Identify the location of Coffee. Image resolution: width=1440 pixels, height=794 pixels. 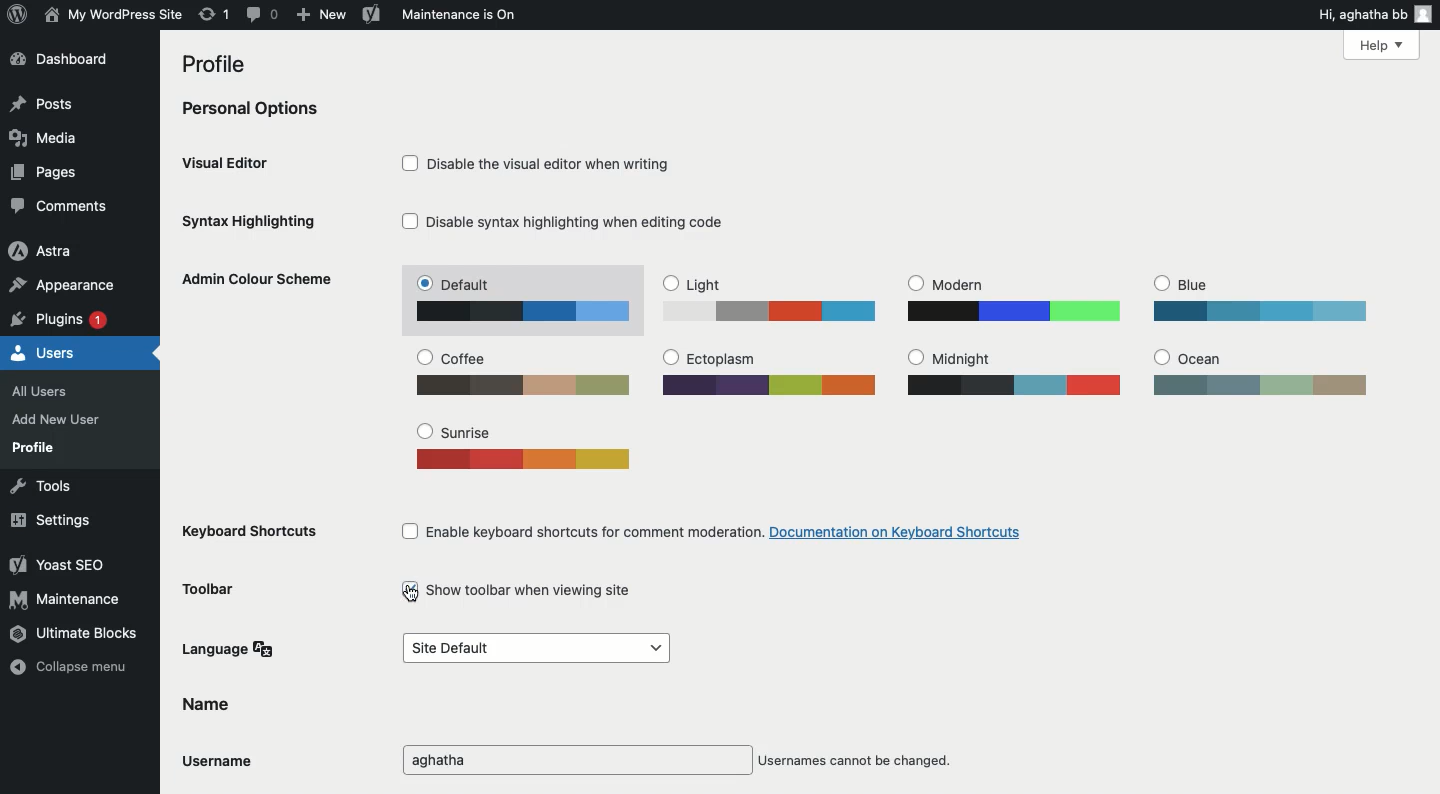
(523, 373).